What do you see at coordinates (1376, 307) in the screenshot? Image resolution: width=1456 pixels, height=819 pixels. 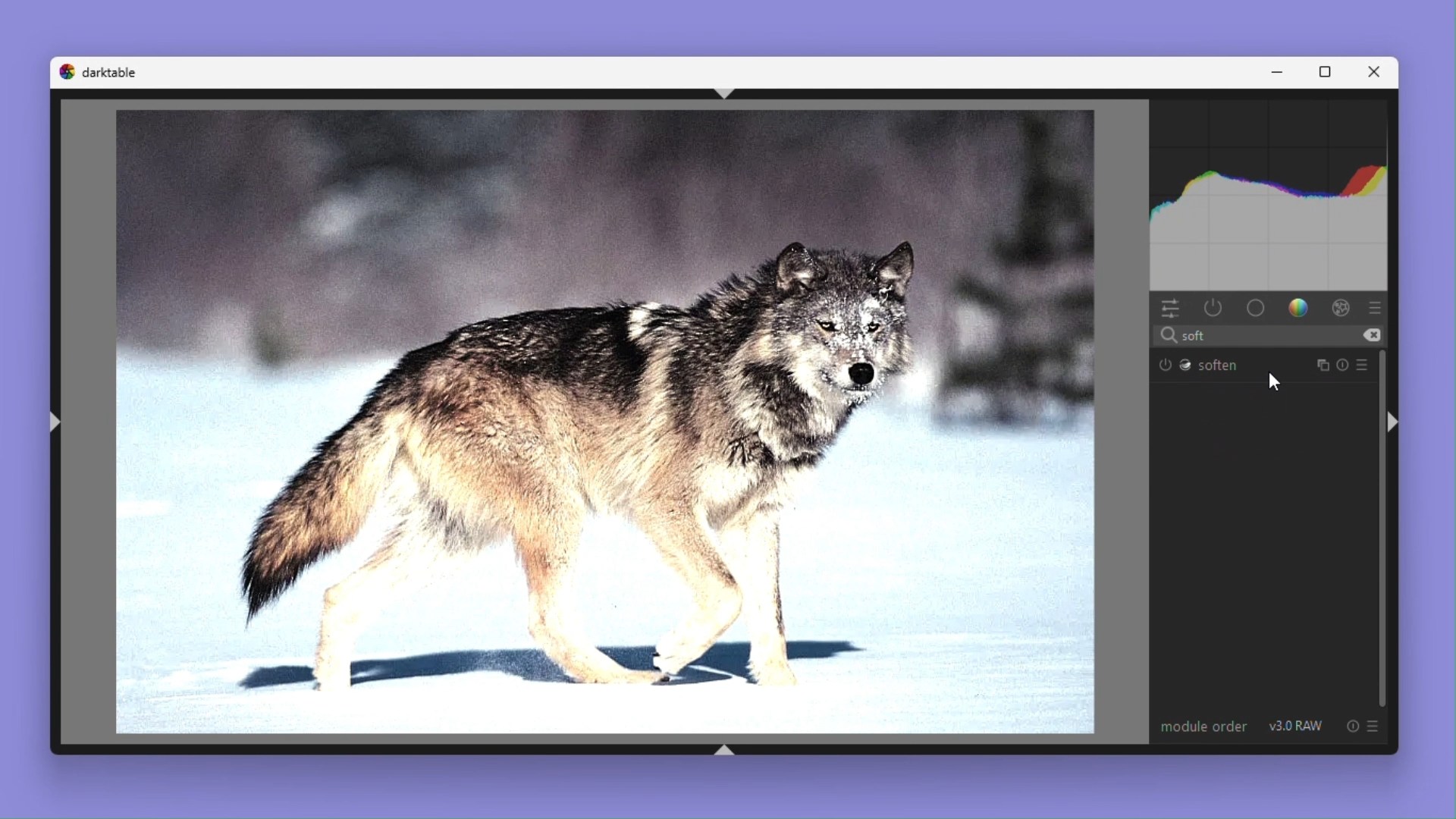 I see `preset` at bounding box center [1376, 307].